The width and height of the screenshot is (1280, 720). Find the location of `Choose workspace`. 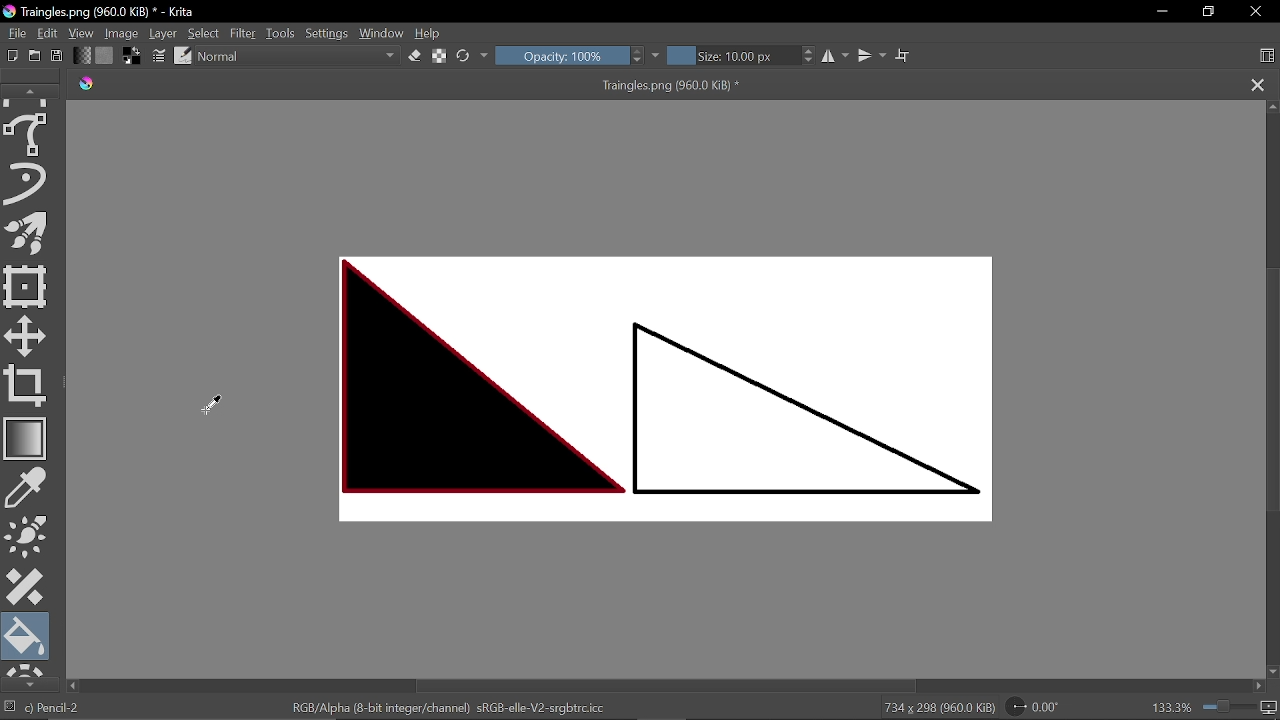

Choose workspace is located at coordinates (1266, 55).